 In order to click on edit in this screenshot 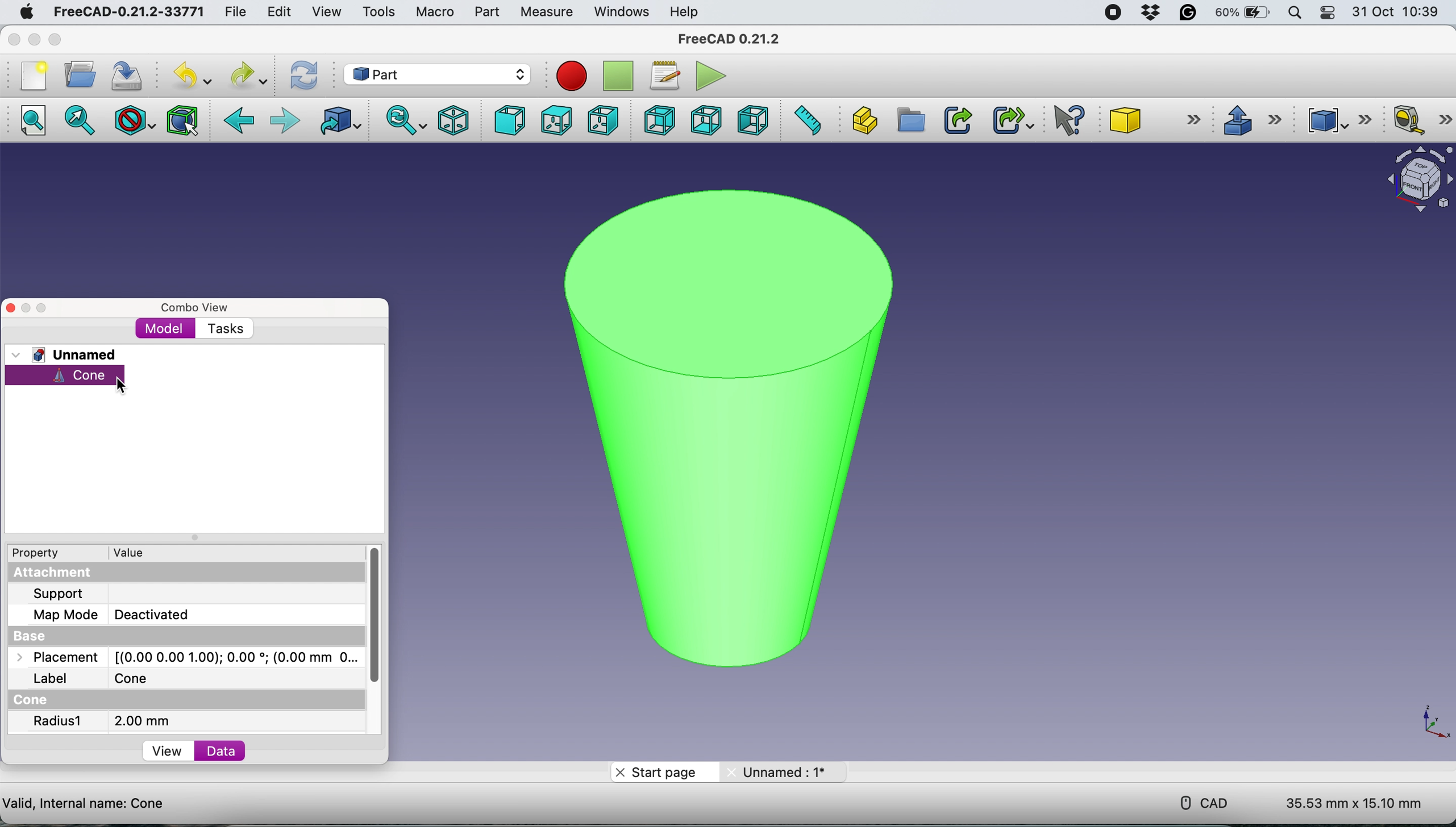, I will do `click(278, 11)`.